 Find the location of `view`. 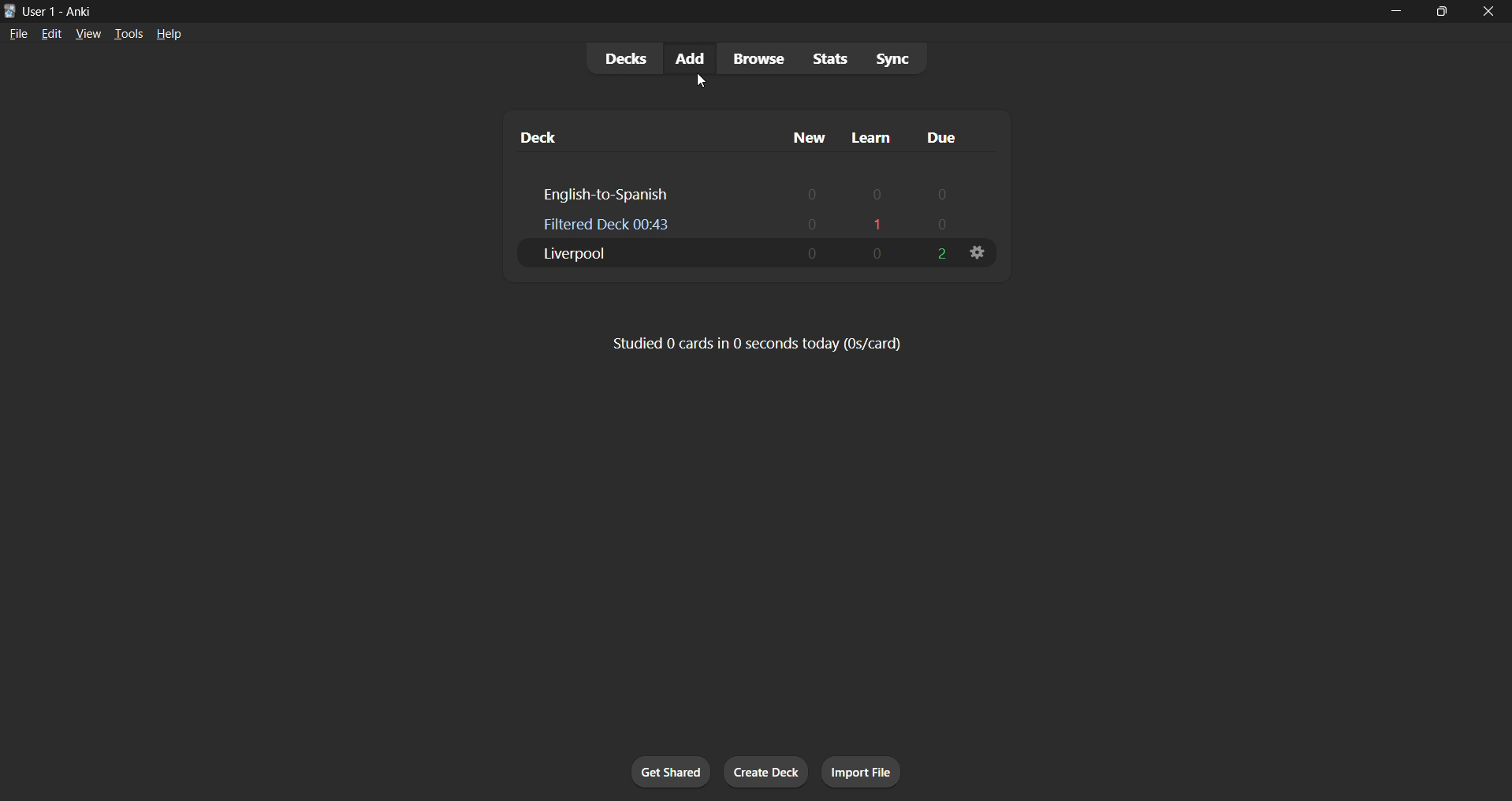

view is located at coordinates (91, 32).